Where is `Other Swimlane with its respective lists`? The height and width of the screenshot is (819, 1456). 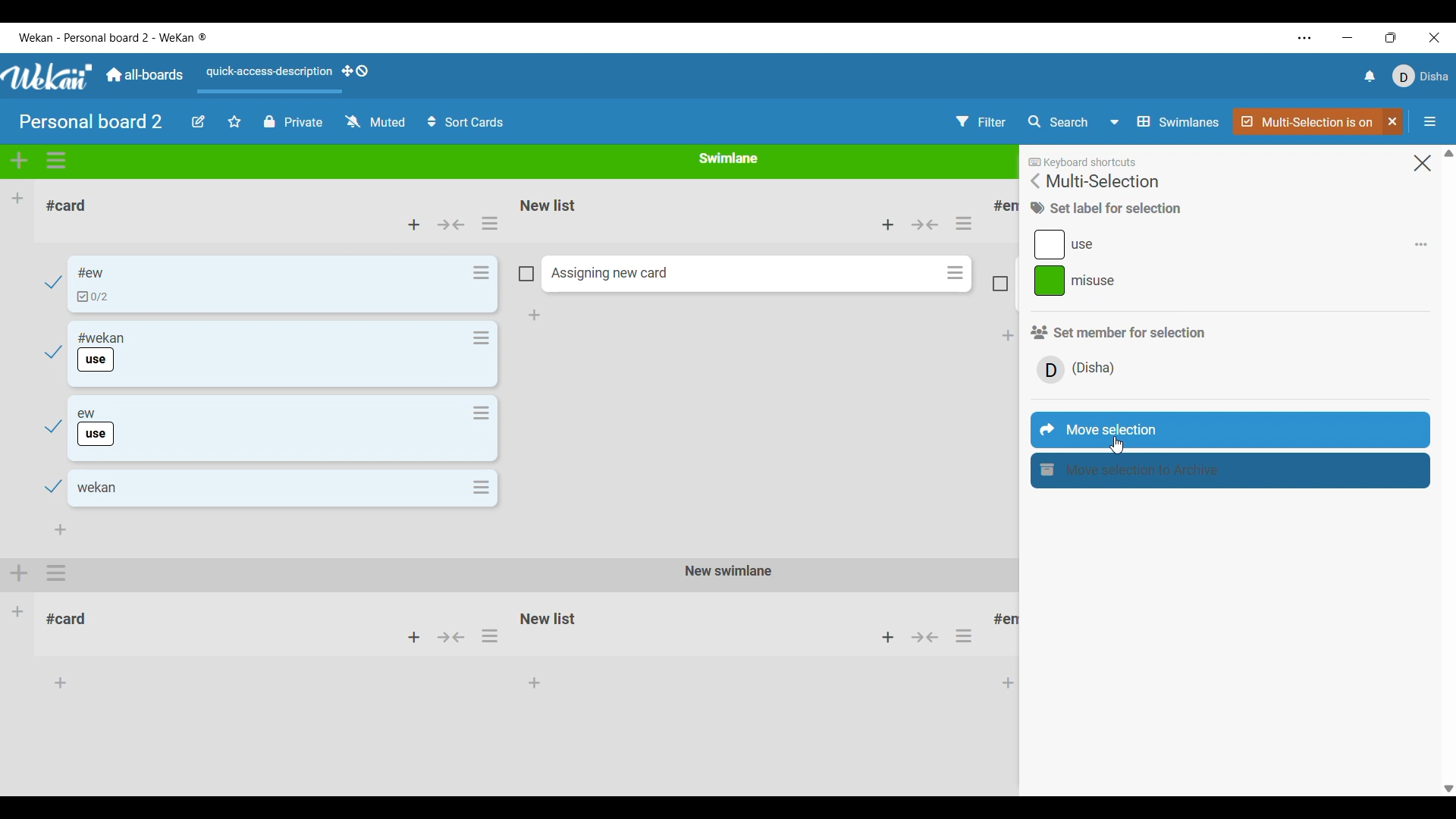
Other Swimlane with its respective lists is located at coordinates (506, 627).